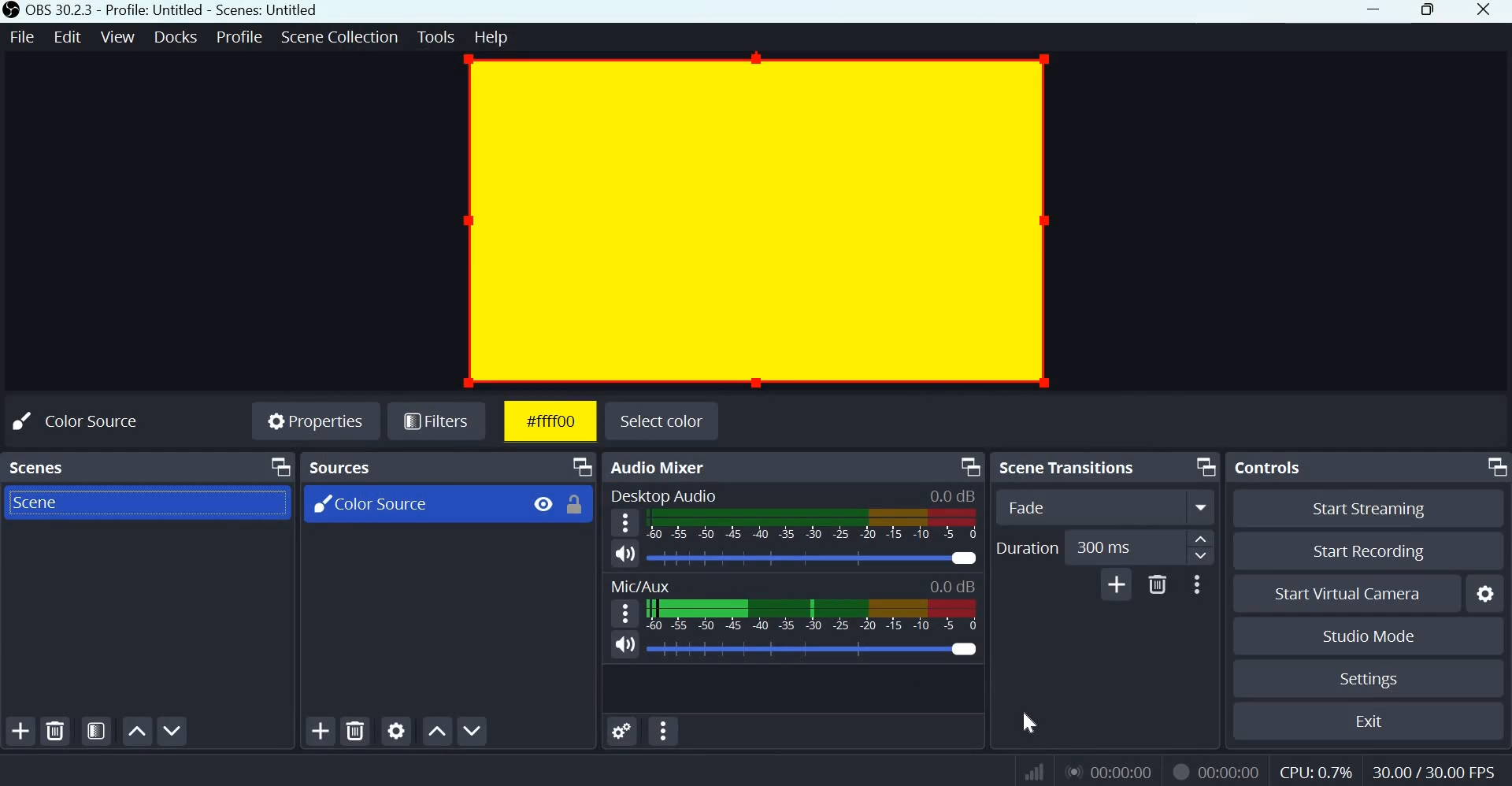 This screenshot has height=786, width=1512. I want to click on Move scene up, so click(136, 731).